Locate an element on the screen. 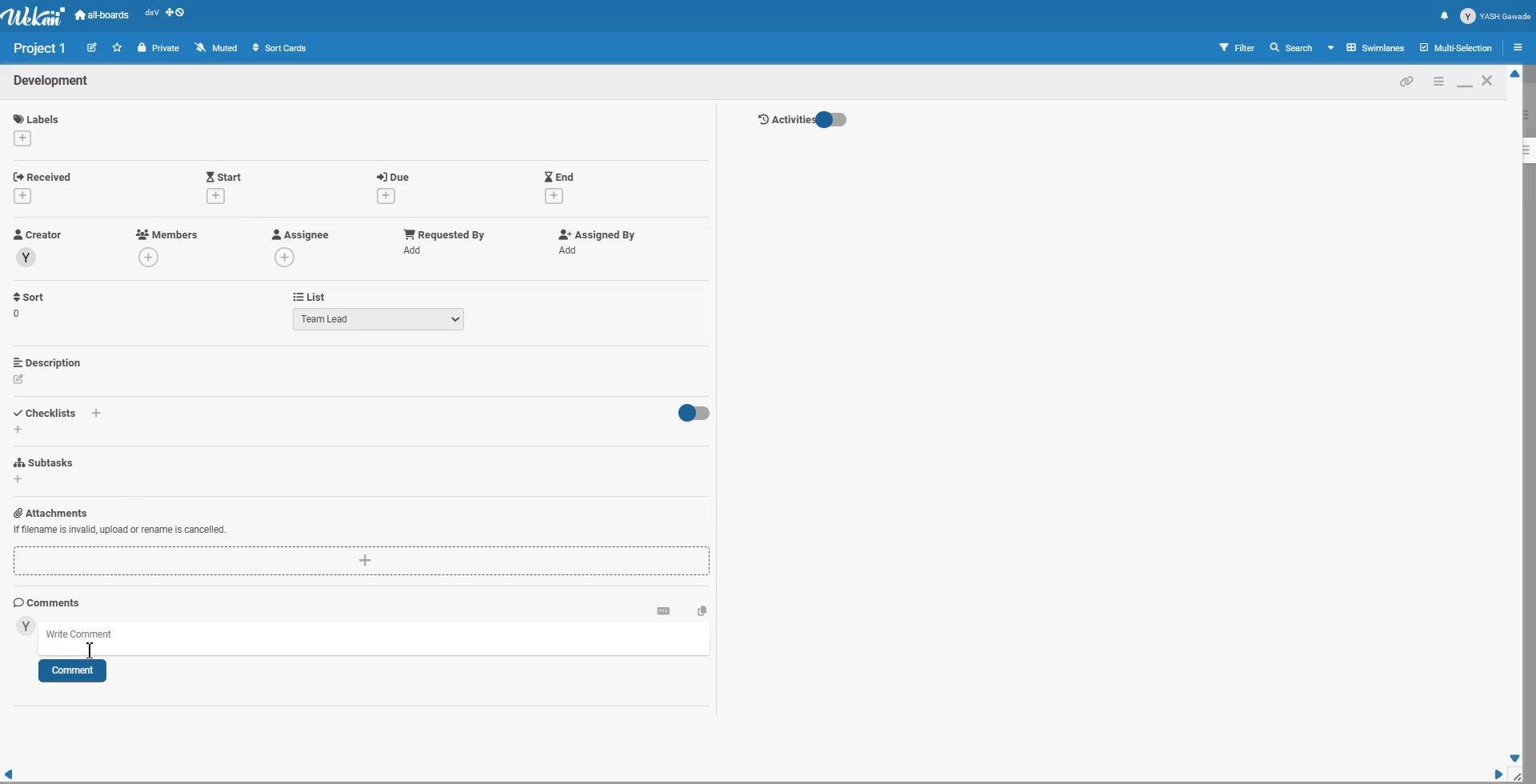 Image resolution: width=1536 pixels, height=784 pixels. Open sidebar is located at coordinates (1521, 46).